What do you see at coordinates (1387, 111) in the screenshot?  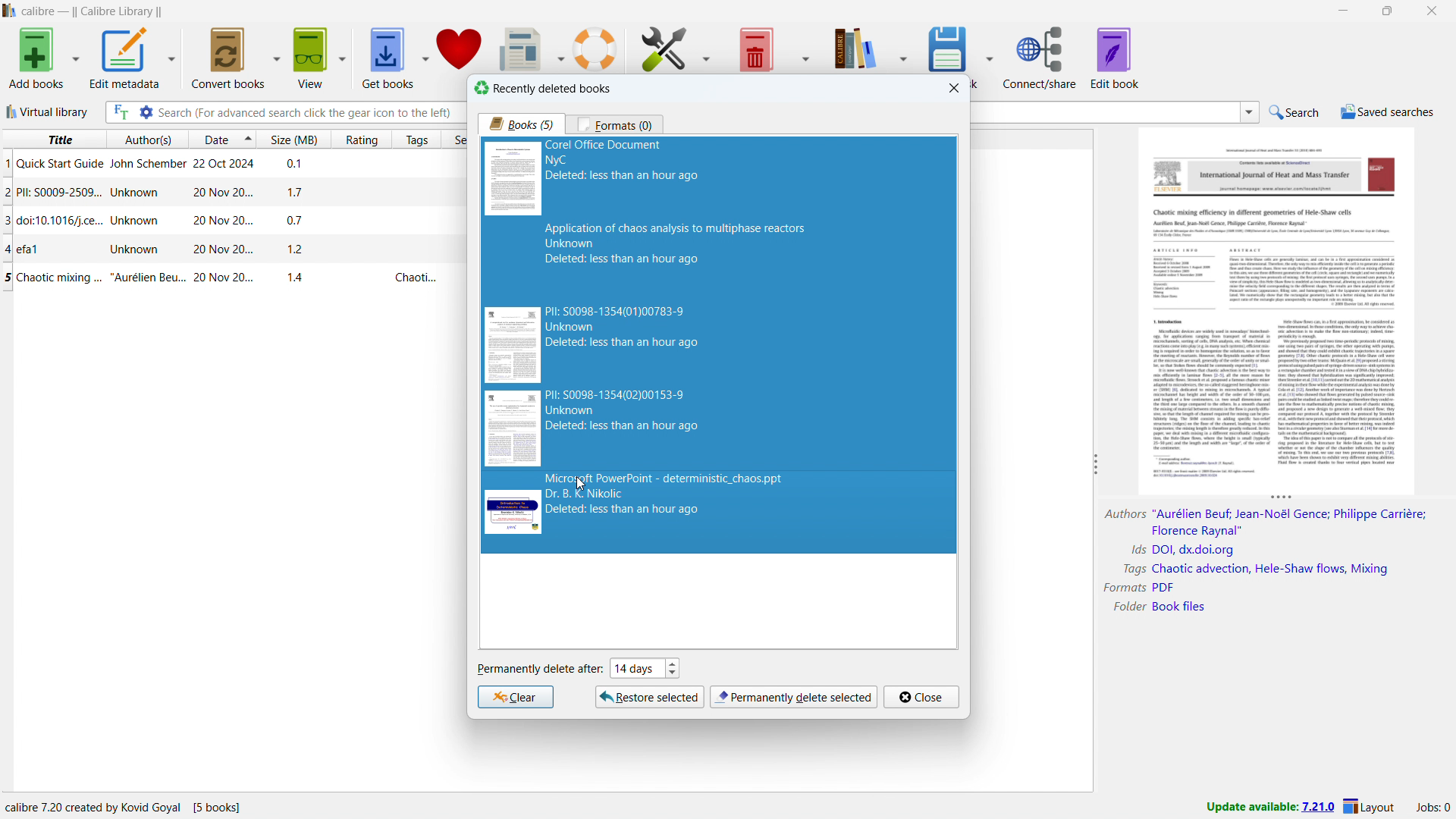 I see `saved searches menu` at bounding box center [1387, 111].